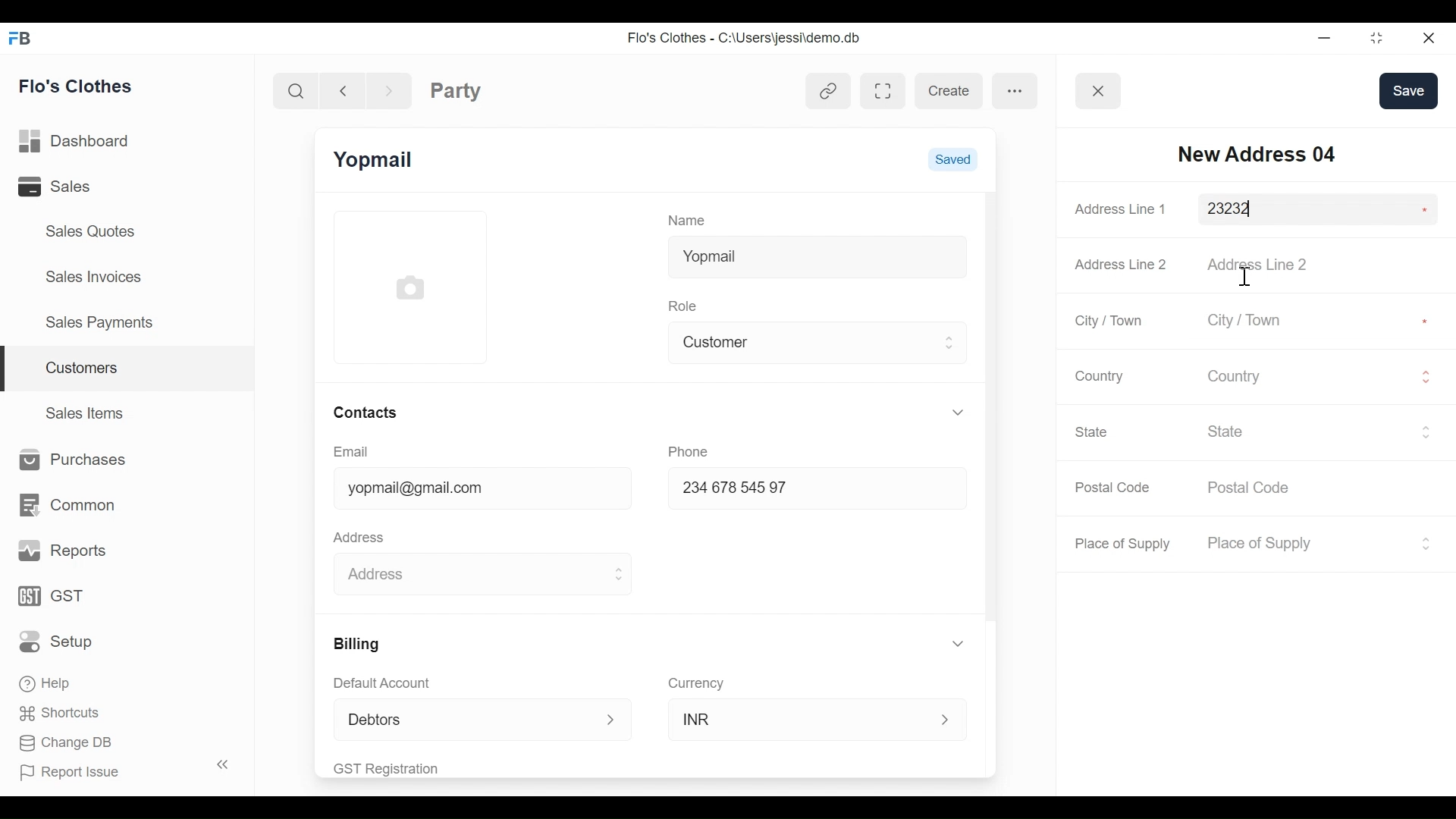 This screenshot has height=819, width=1456. Describe the element at coordinates (465, 571) in the screenshot. I see `Address` at that location.